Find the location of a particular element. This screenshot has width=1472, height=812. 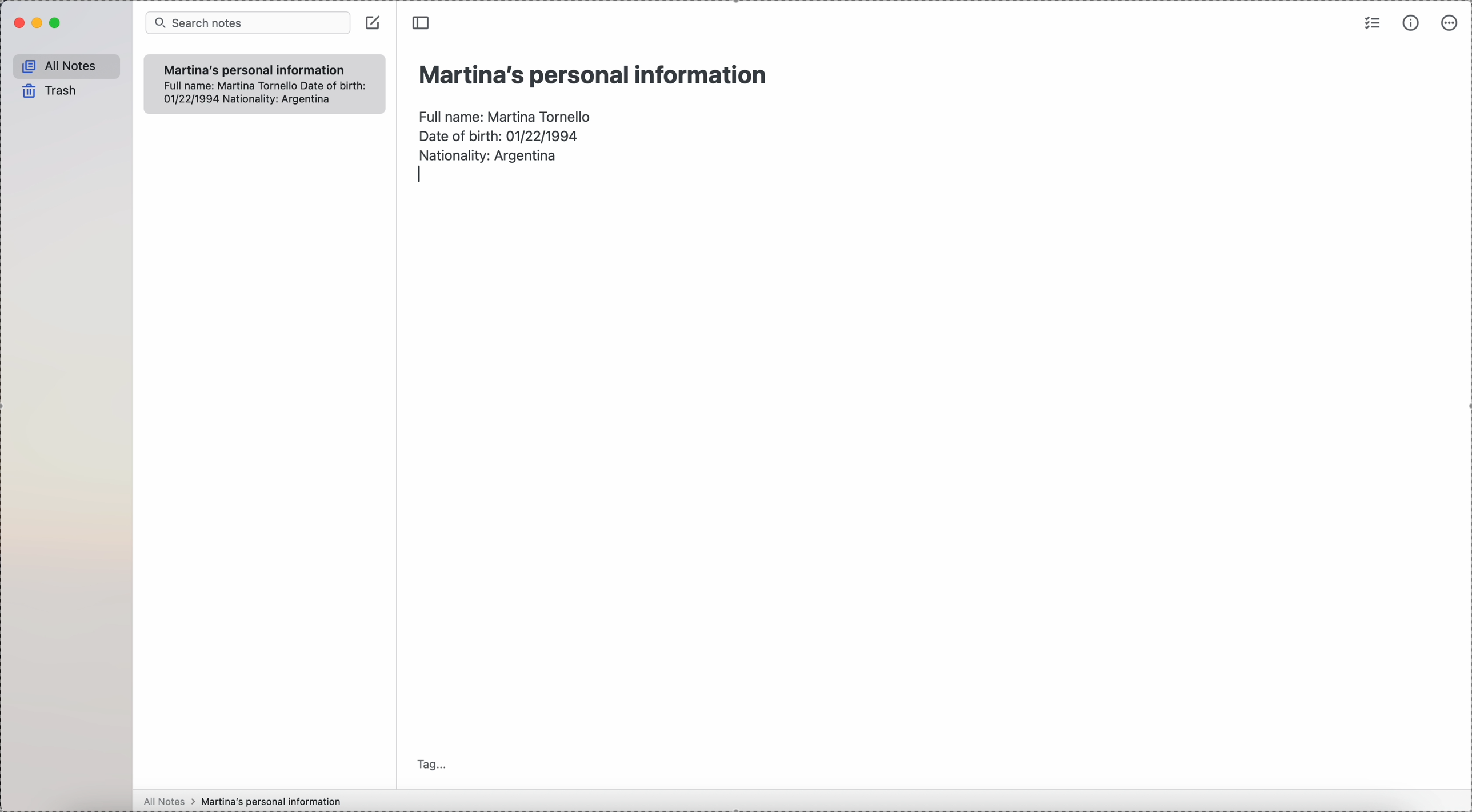

create note is located at coordinates (374, 23).